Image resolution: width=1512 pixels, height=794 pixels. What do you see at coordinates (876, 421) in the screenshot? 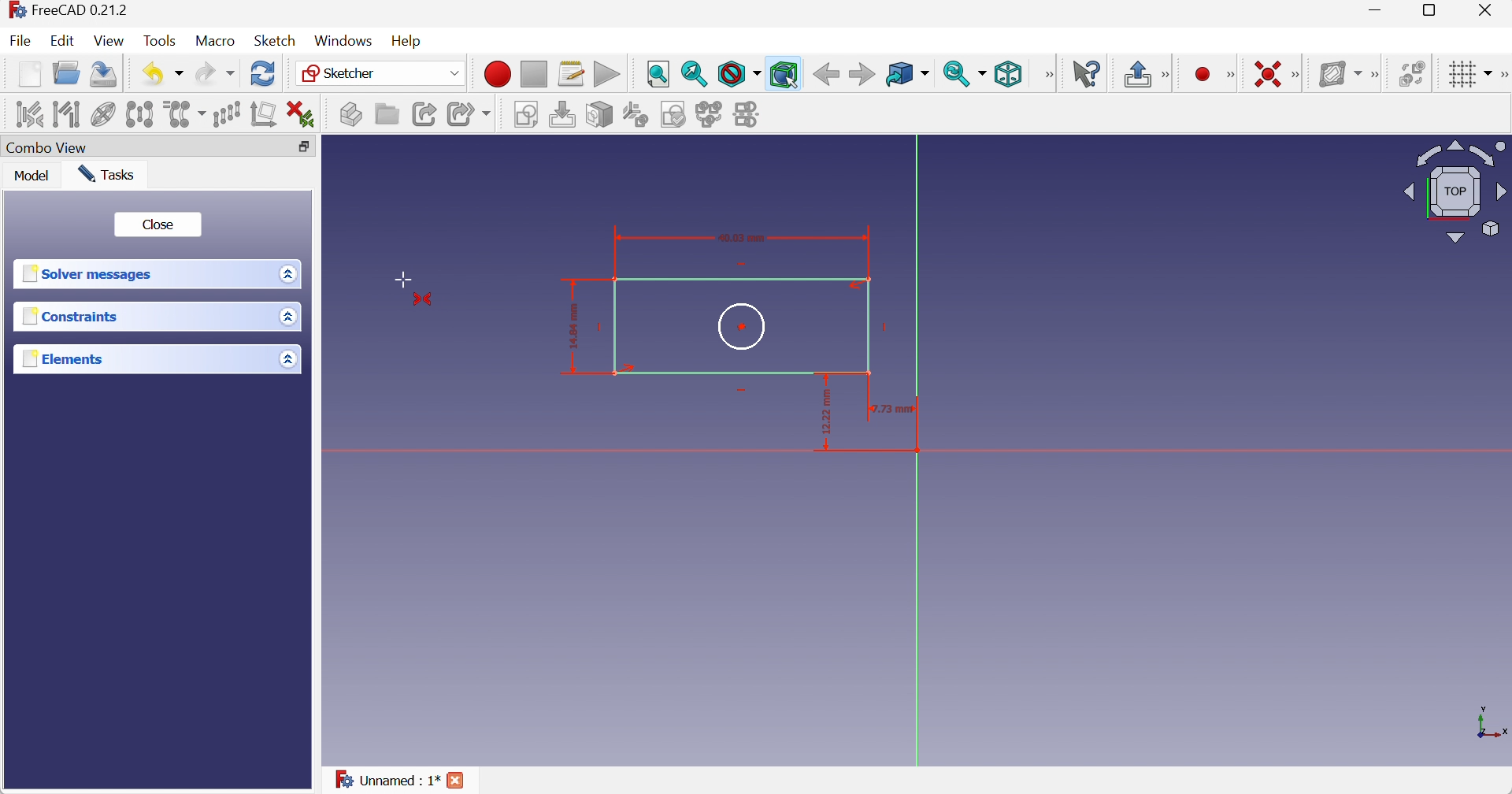
I see `rectangular dimension` at bounding box center [876, 421].